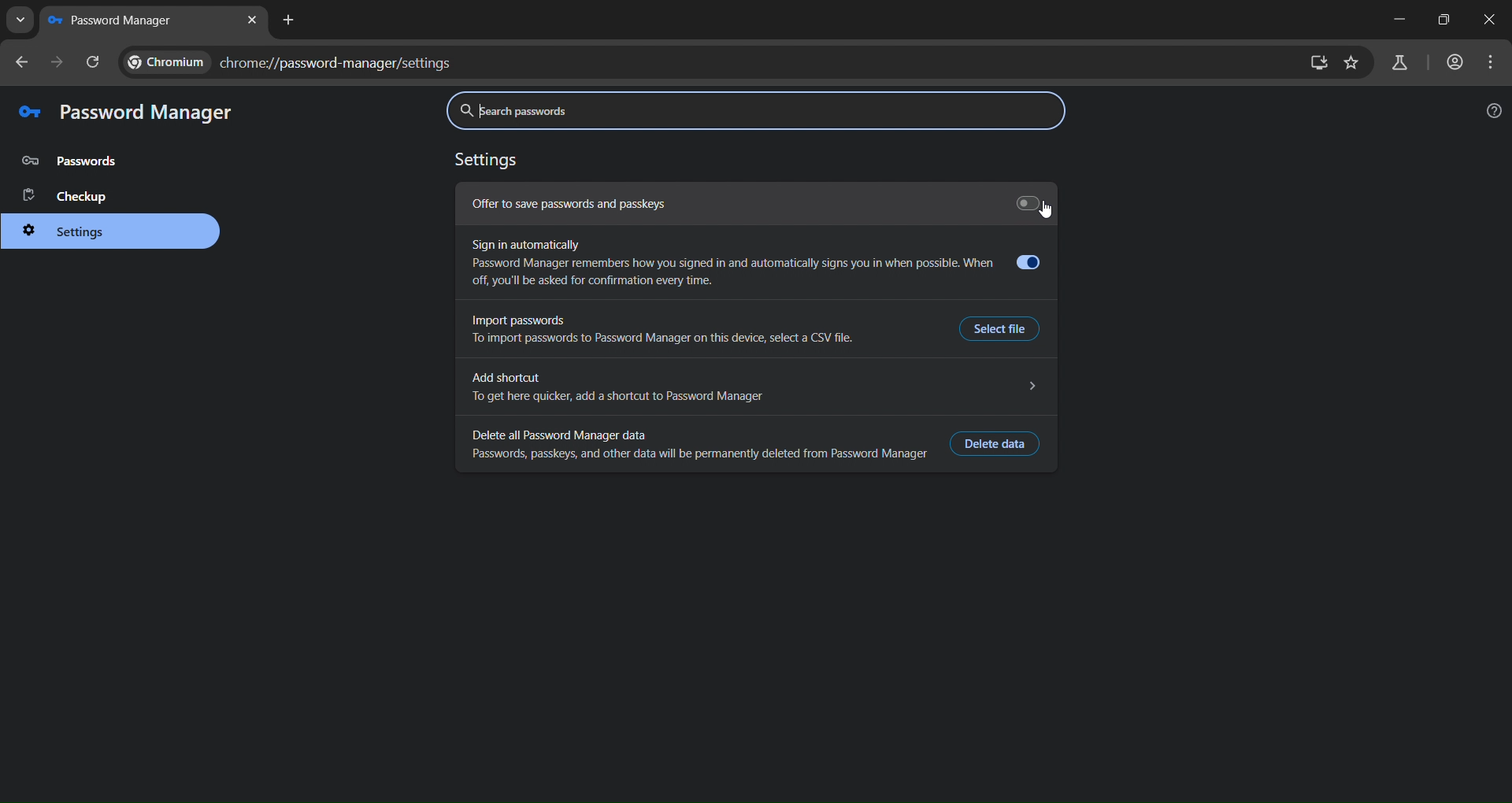  Describe the element at coordinates (674, 326) in the screenshot. I see `Import passwordsTo import passwords to Password Manager on this device, select a CSV file.` at that location.